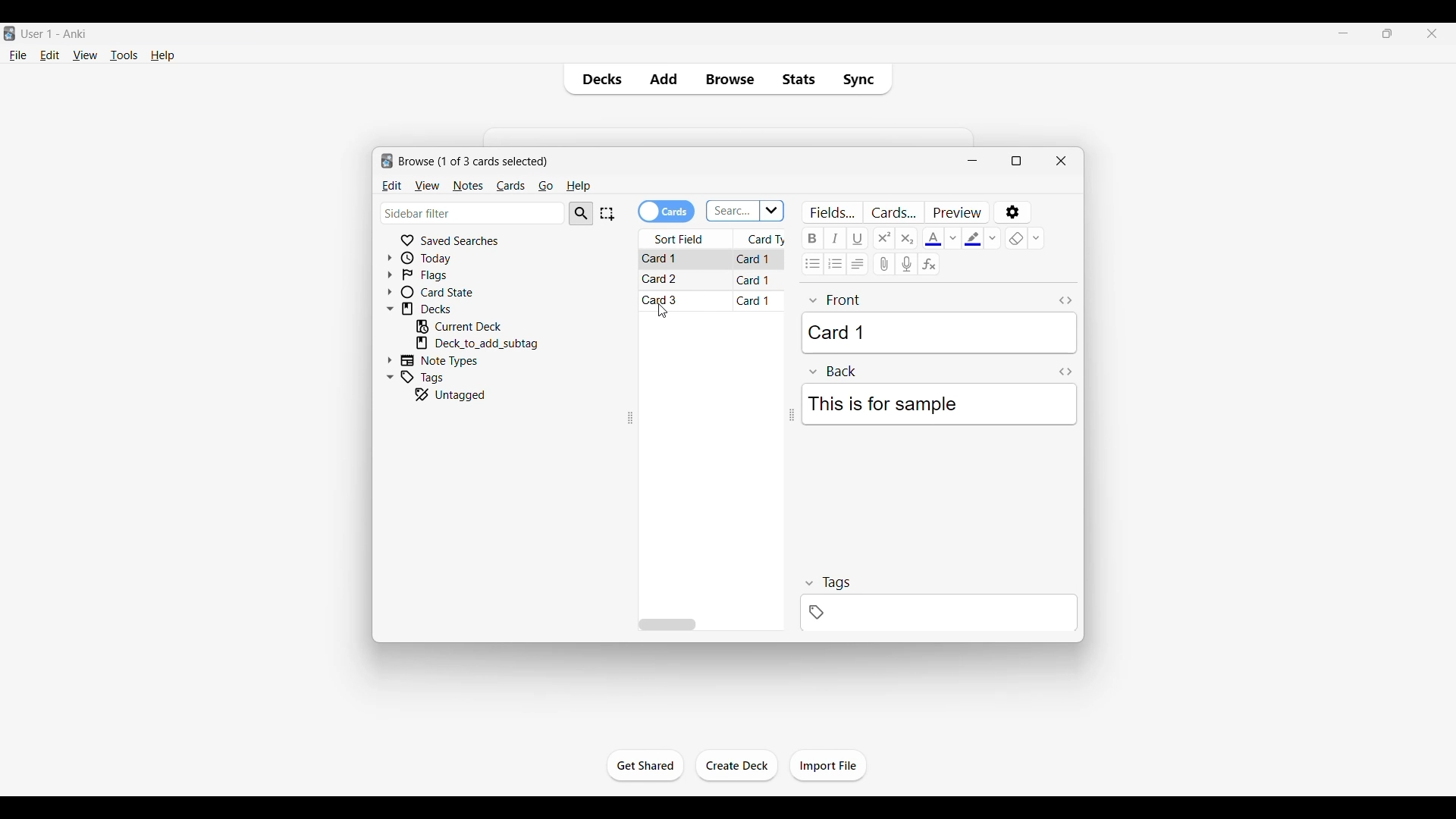 This screenshot has height=819, width=1456. What do you see at coordinates (390, 360) in the screenshot?
I see `Click to expand Note Types` at bounding box center [390, 360].